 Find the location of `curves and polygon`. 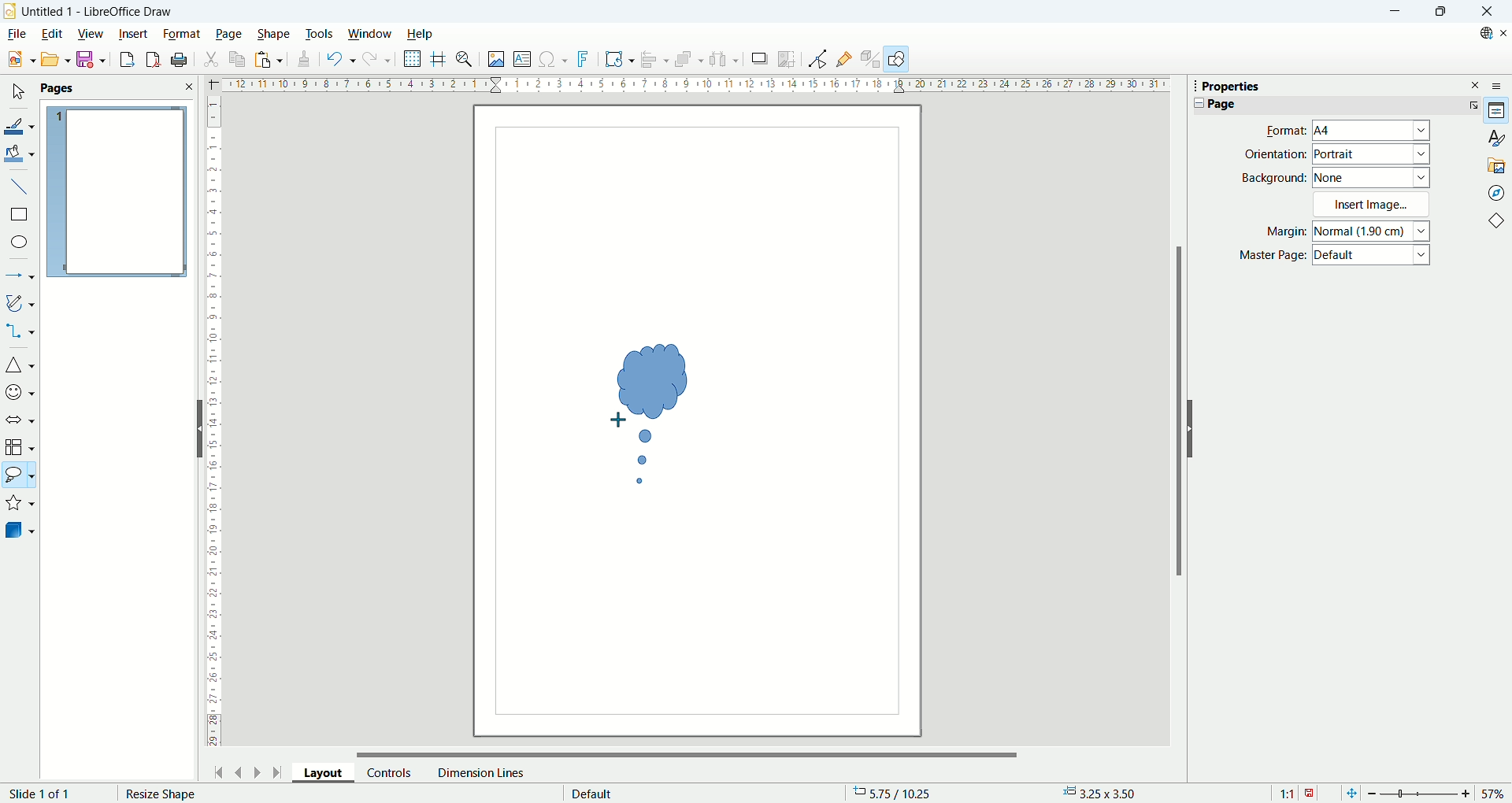

curves and polygon is located at coordinates (20, 303).